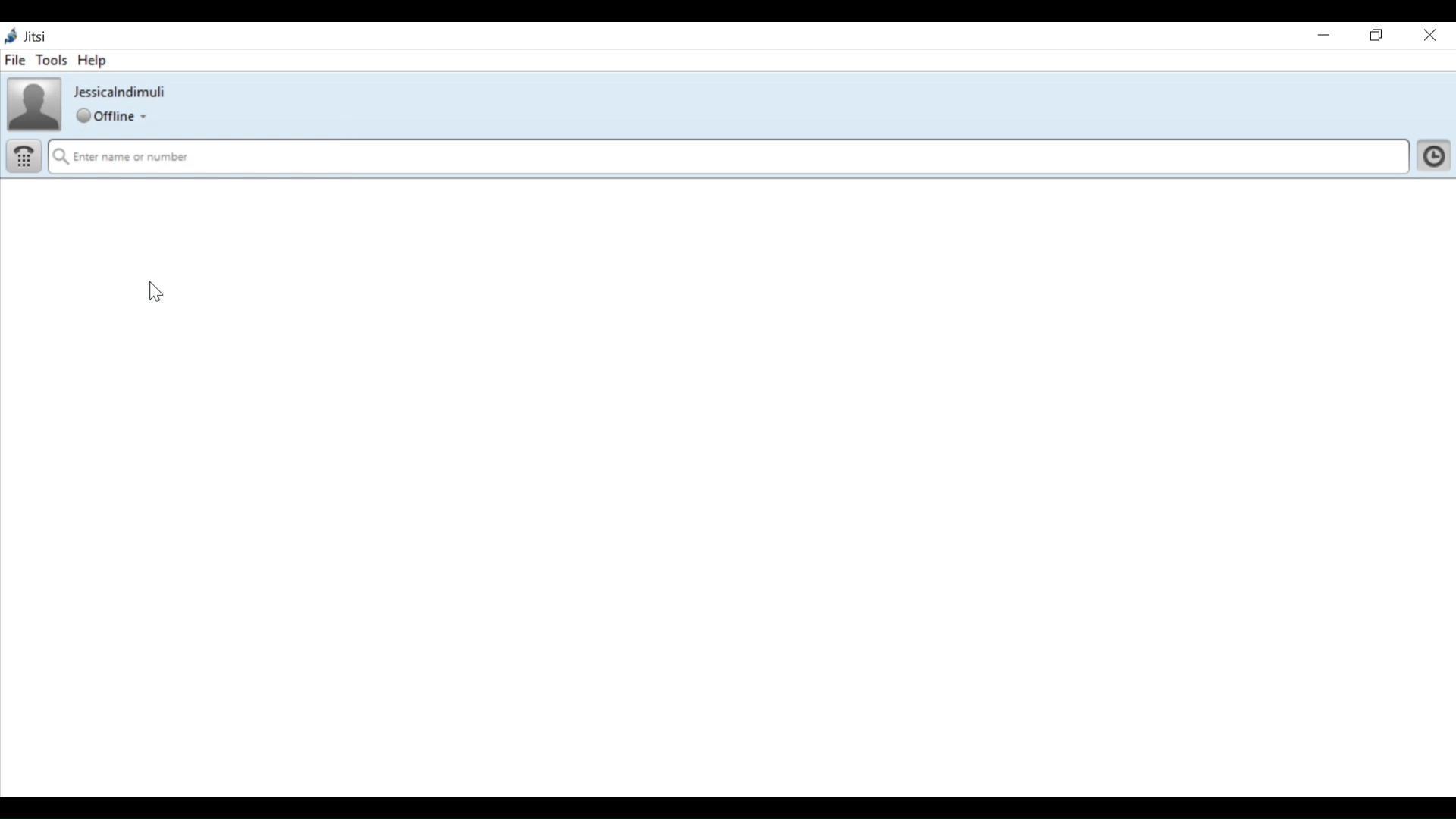 This screenshot has height=819, width=1456. Describe the element at coordinates (33, 103) in the screenshot. I see `Profile Picture` at that location.